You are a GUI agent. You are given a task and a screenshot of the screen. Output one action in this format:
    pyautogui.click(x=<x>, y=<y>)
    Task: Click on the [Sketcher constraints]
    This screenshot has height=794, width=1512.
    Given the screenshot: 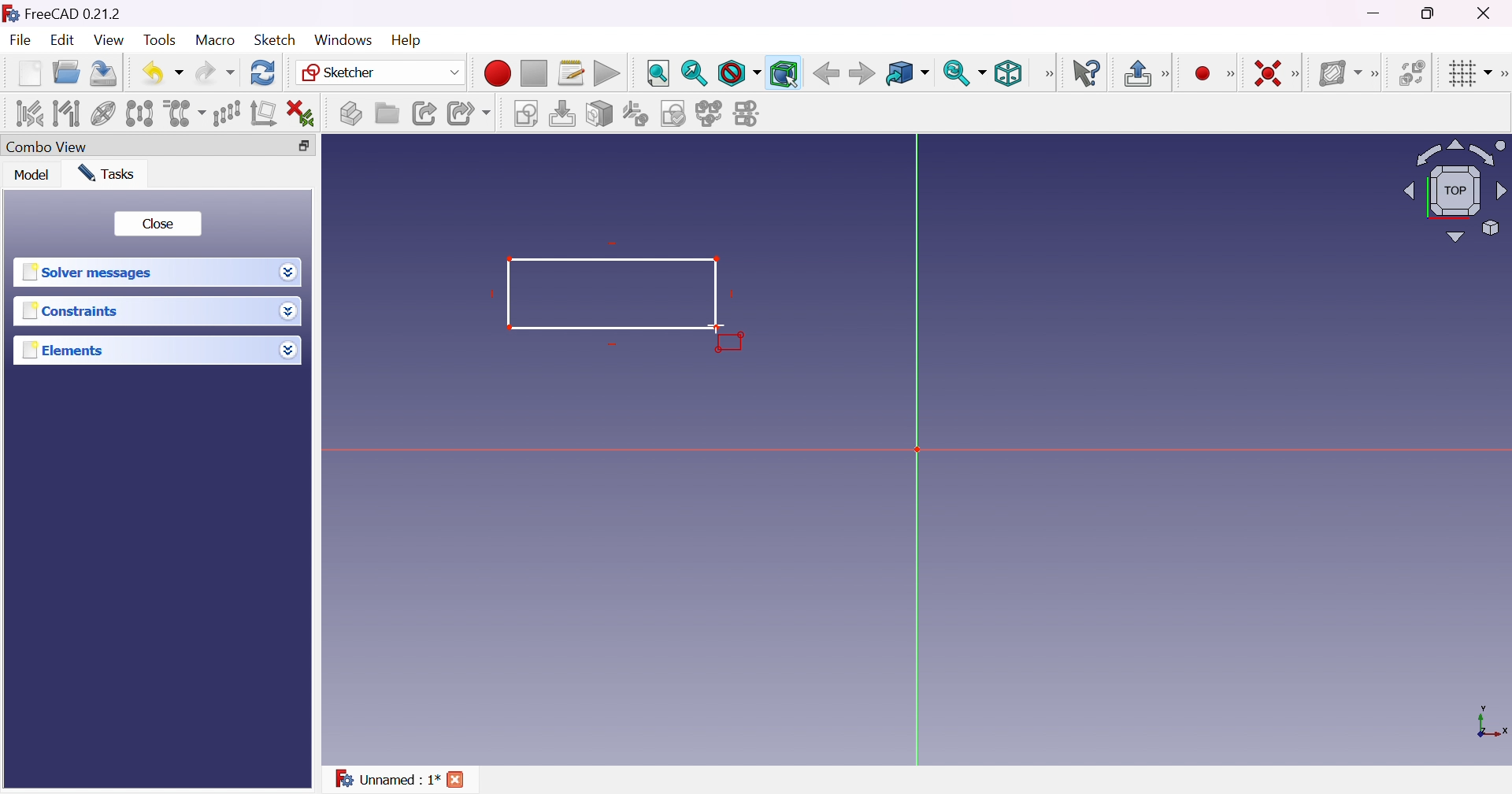 What is the action you would take?
    pyautogui.click(x=1299, y=75)
    